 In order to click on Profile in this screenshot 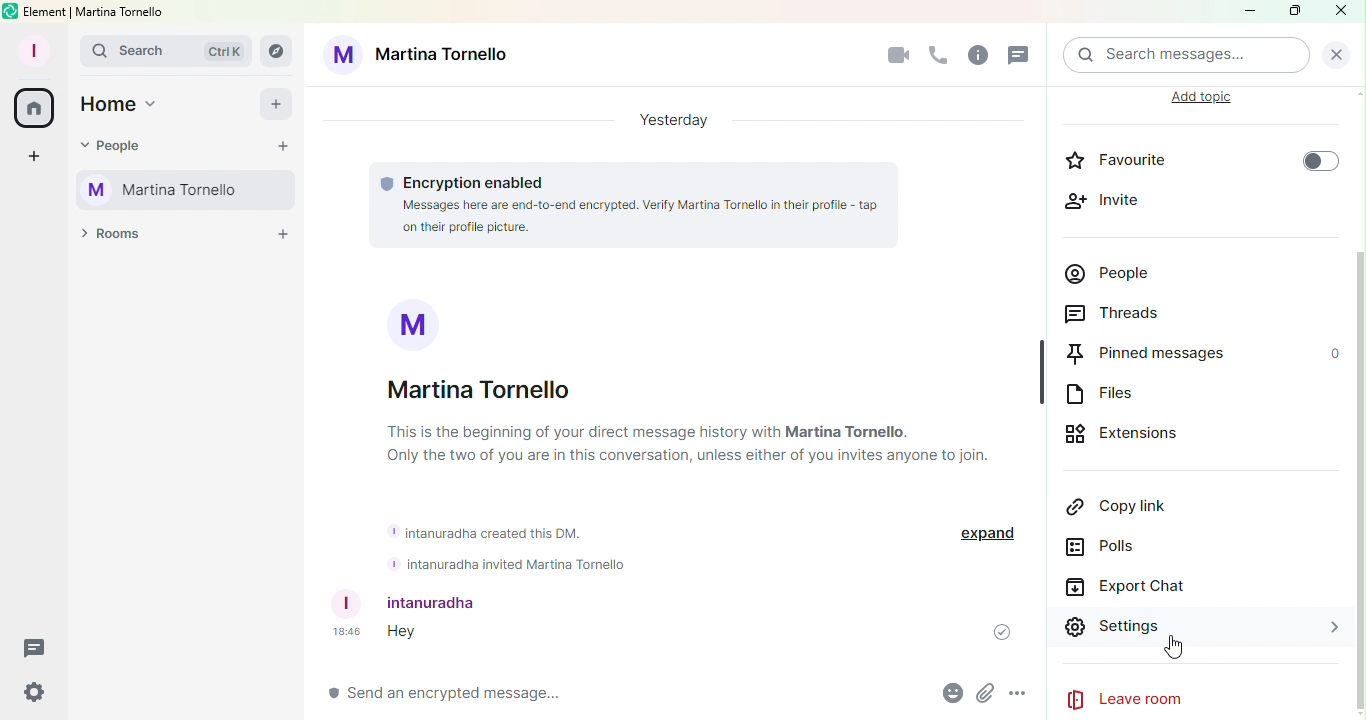, I will do `click(31, 48)`.